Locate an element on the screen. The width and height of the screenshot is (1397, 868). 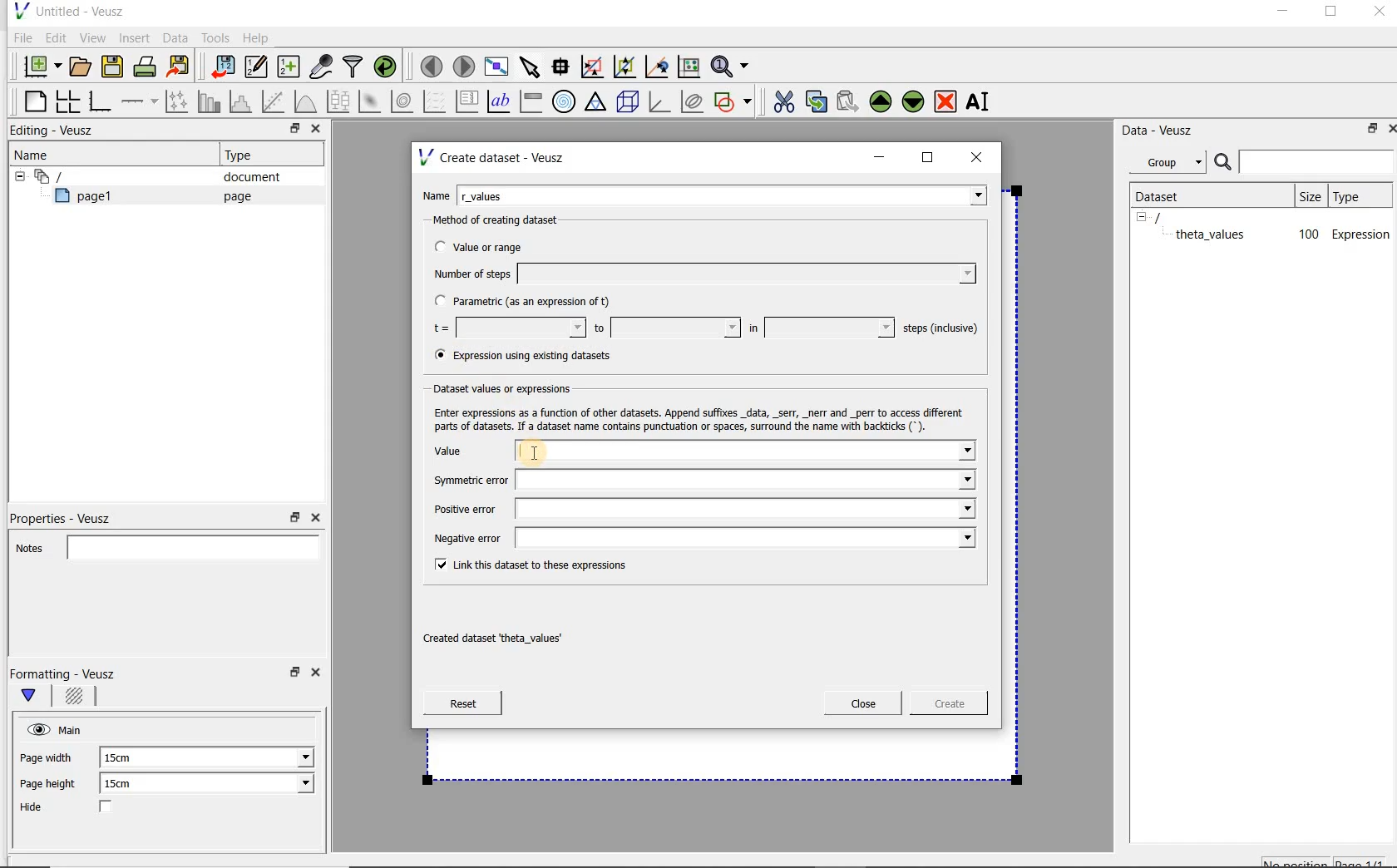
Zoom functions menu is located at coordinates (731, 62).